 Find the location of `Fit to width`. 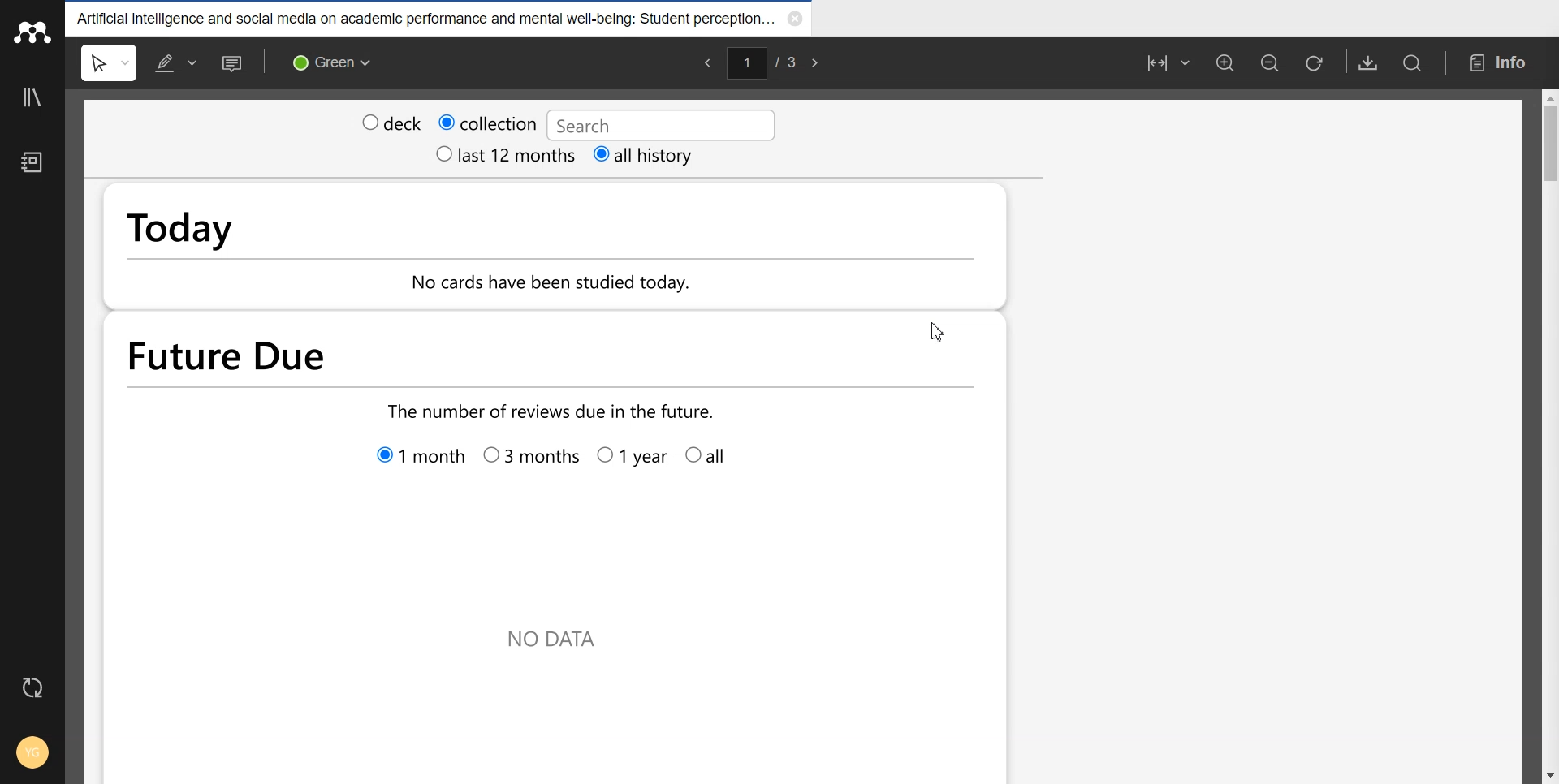

Fit to width is located at coordinates (1159, 64).